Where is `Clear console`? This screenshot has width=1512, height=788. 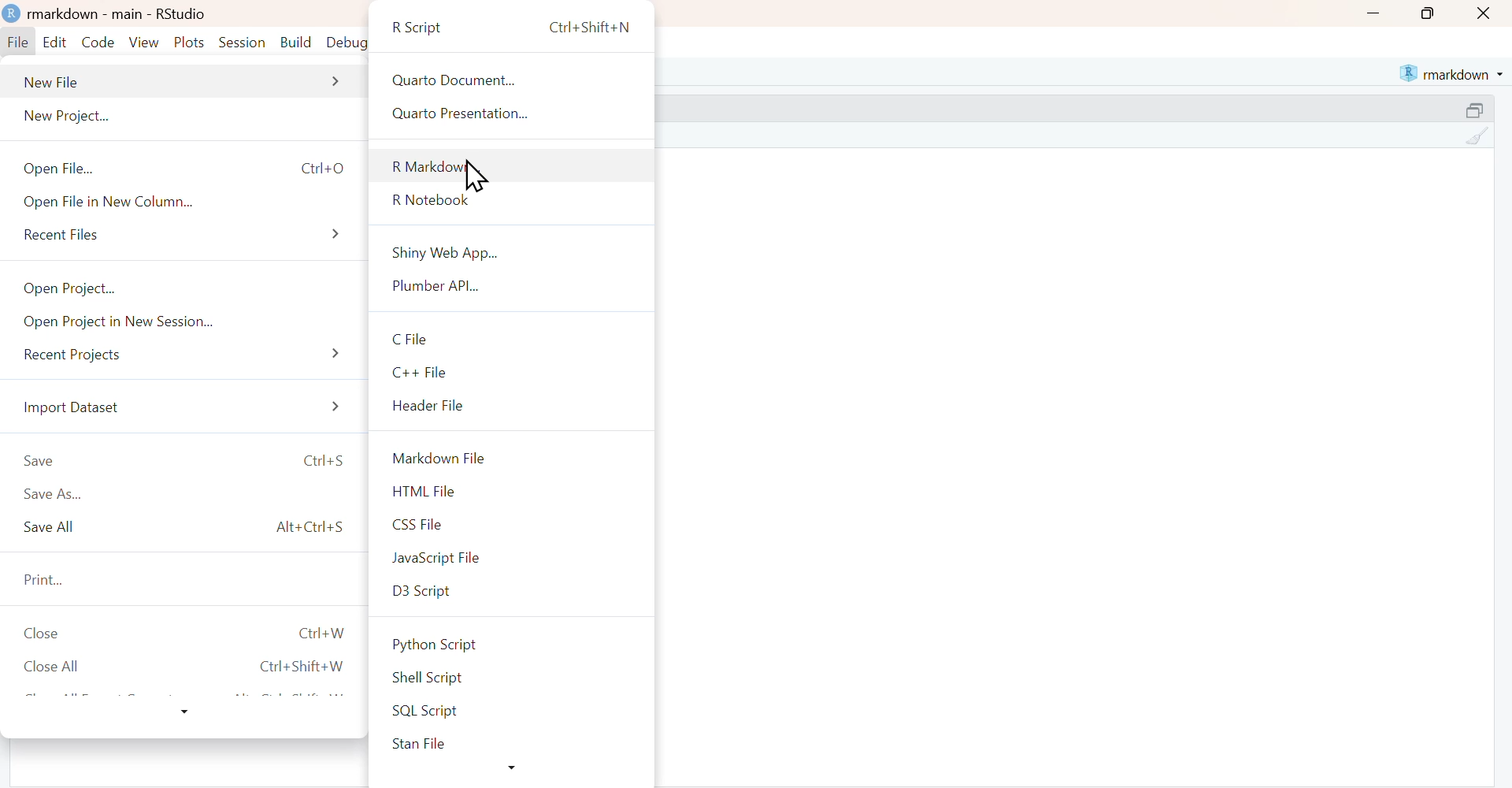 Clear console is located at coordinates (1476, 136).